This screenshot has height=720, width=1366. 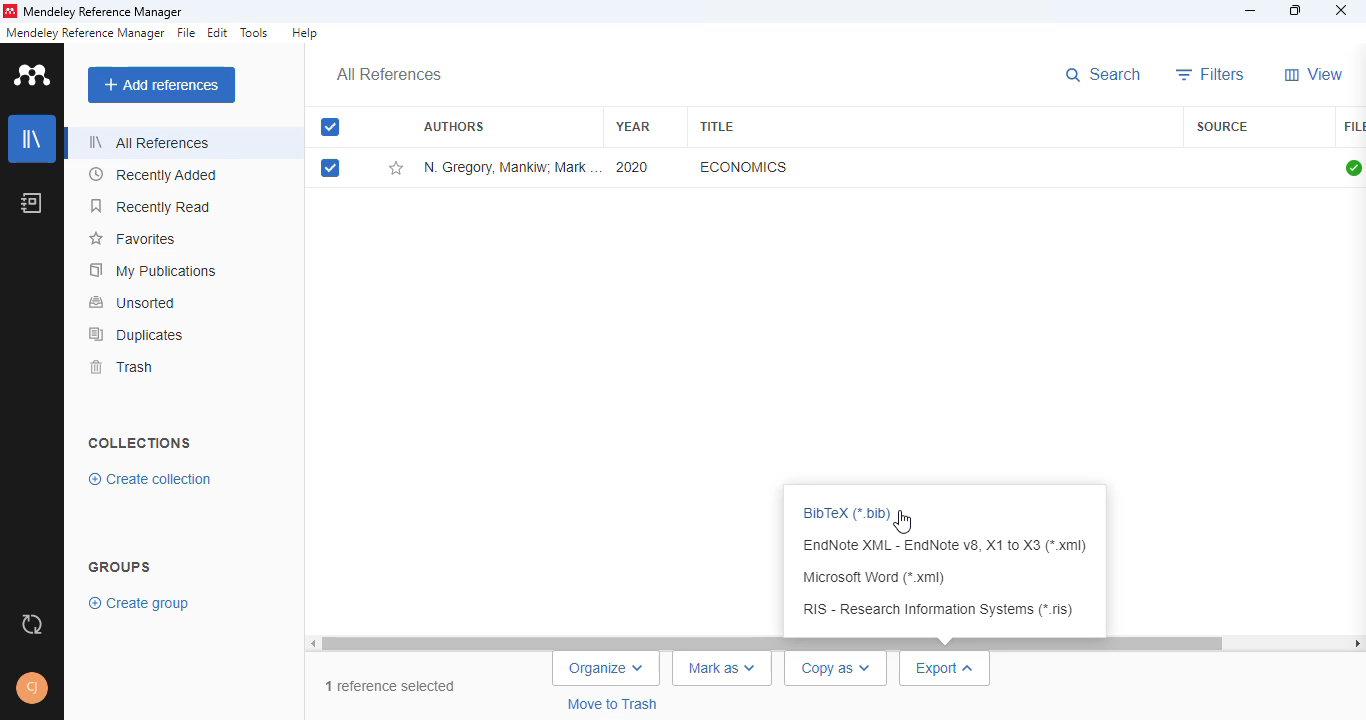 I want to click on economics, so click(x=743, y=167).